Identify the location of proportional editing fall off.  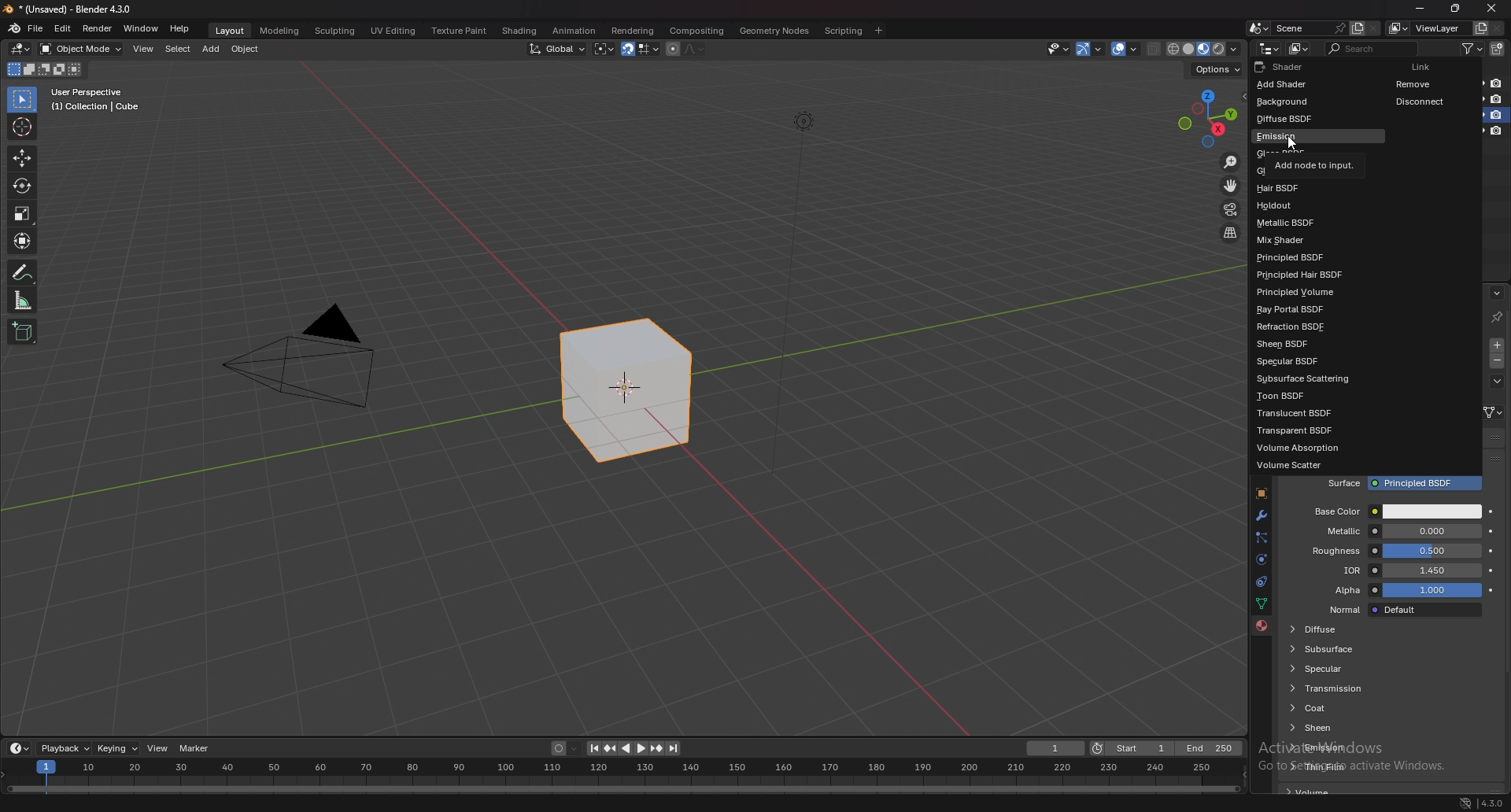
(691, 48).